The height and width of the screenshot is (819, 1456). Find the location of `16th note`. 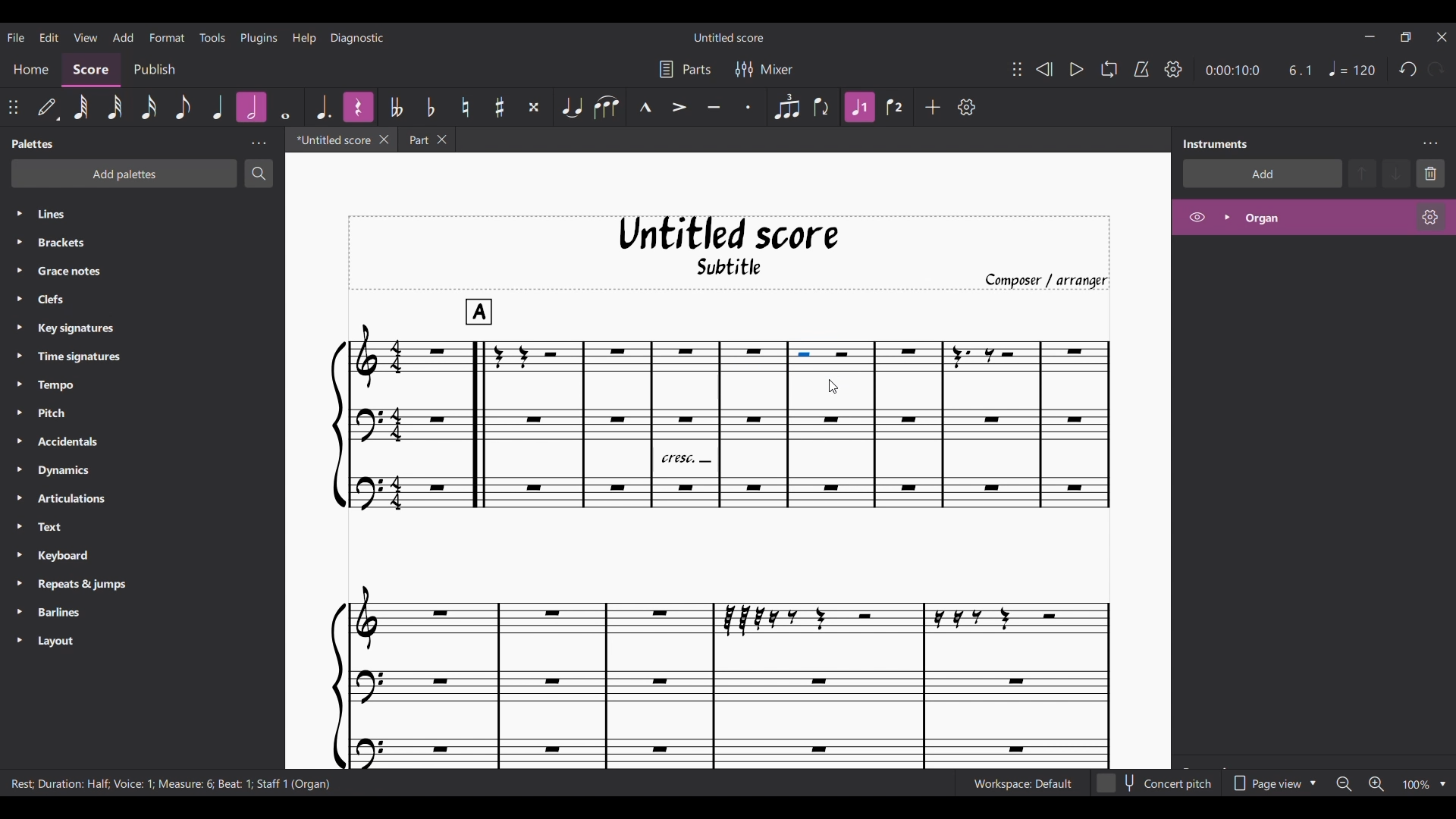

16th note is located at coordinates (149, 108).